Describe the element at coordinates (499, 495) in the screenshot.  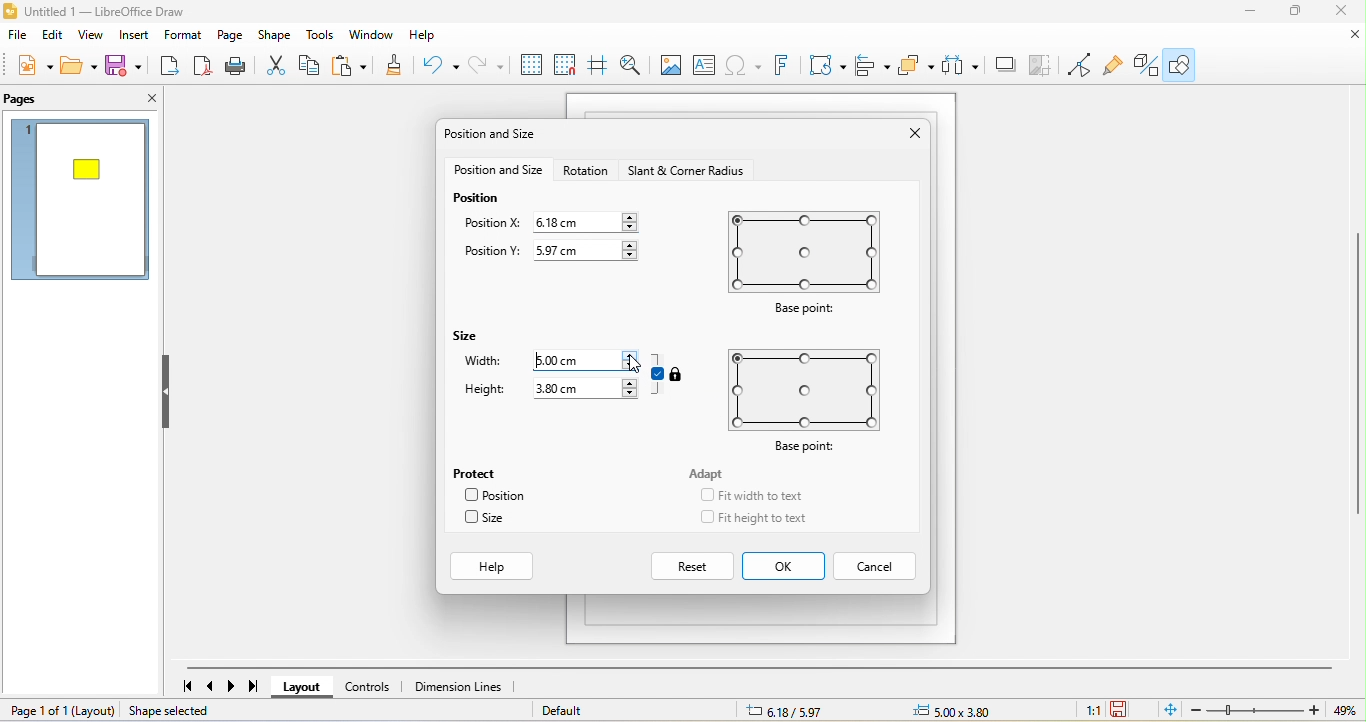
I see `position` at that location.